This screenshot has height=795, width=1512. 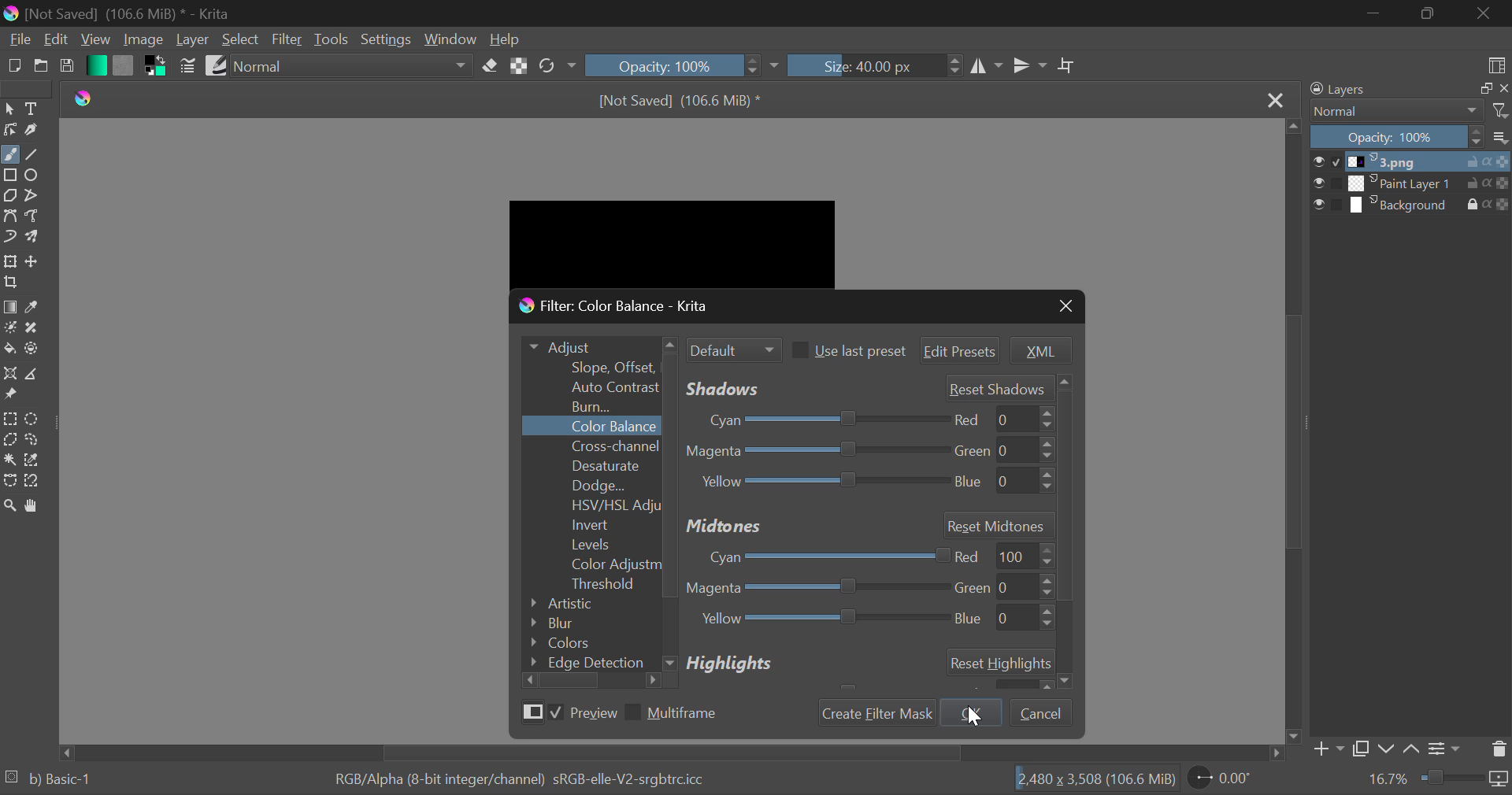 What do you see at coordinates (1411, 162) in the screenshot?
I see `1.png` at bounding box center [1411, 162].